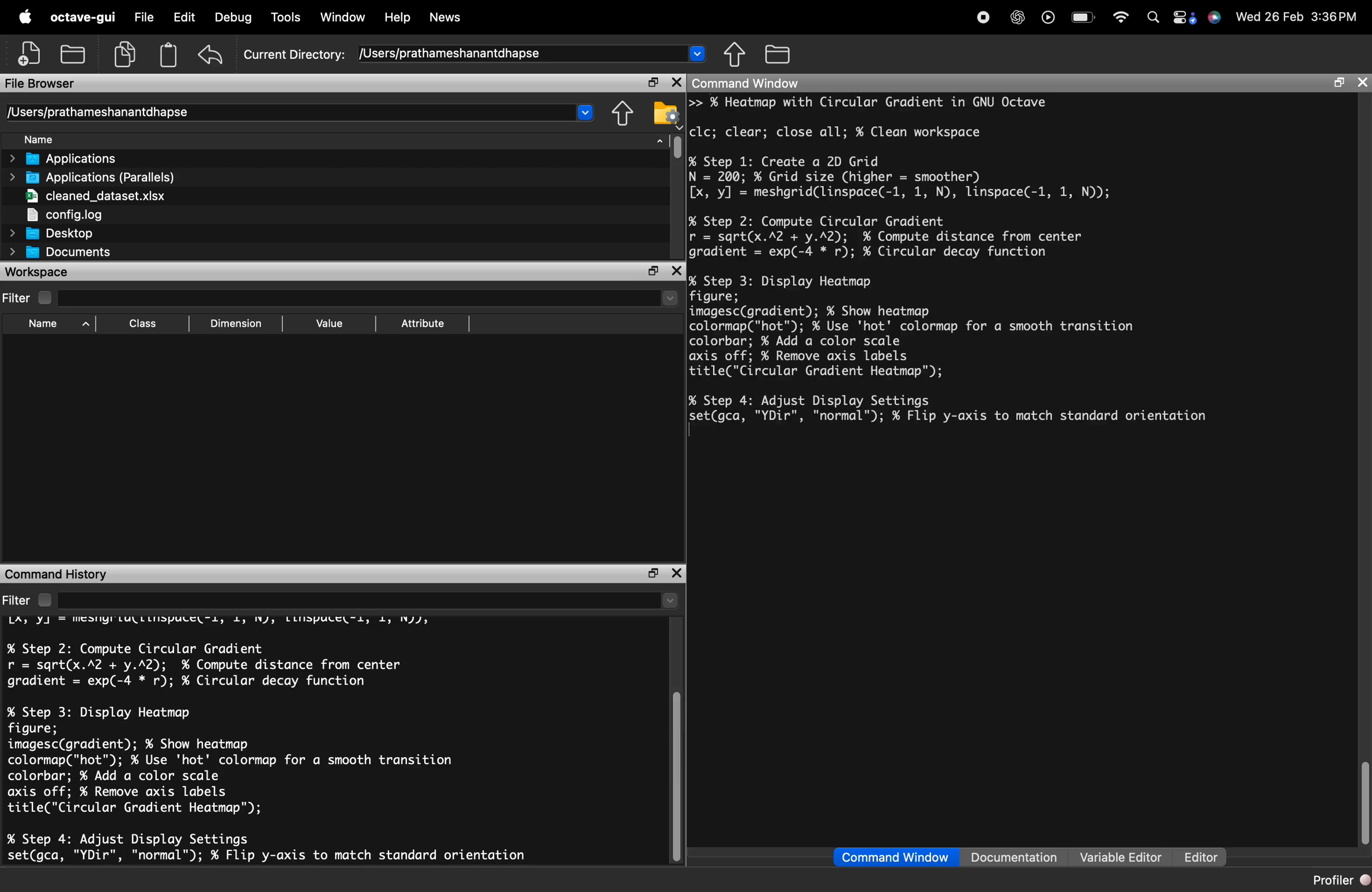 The image size is (1372, 892). I want to click on close, so click(675, 271).